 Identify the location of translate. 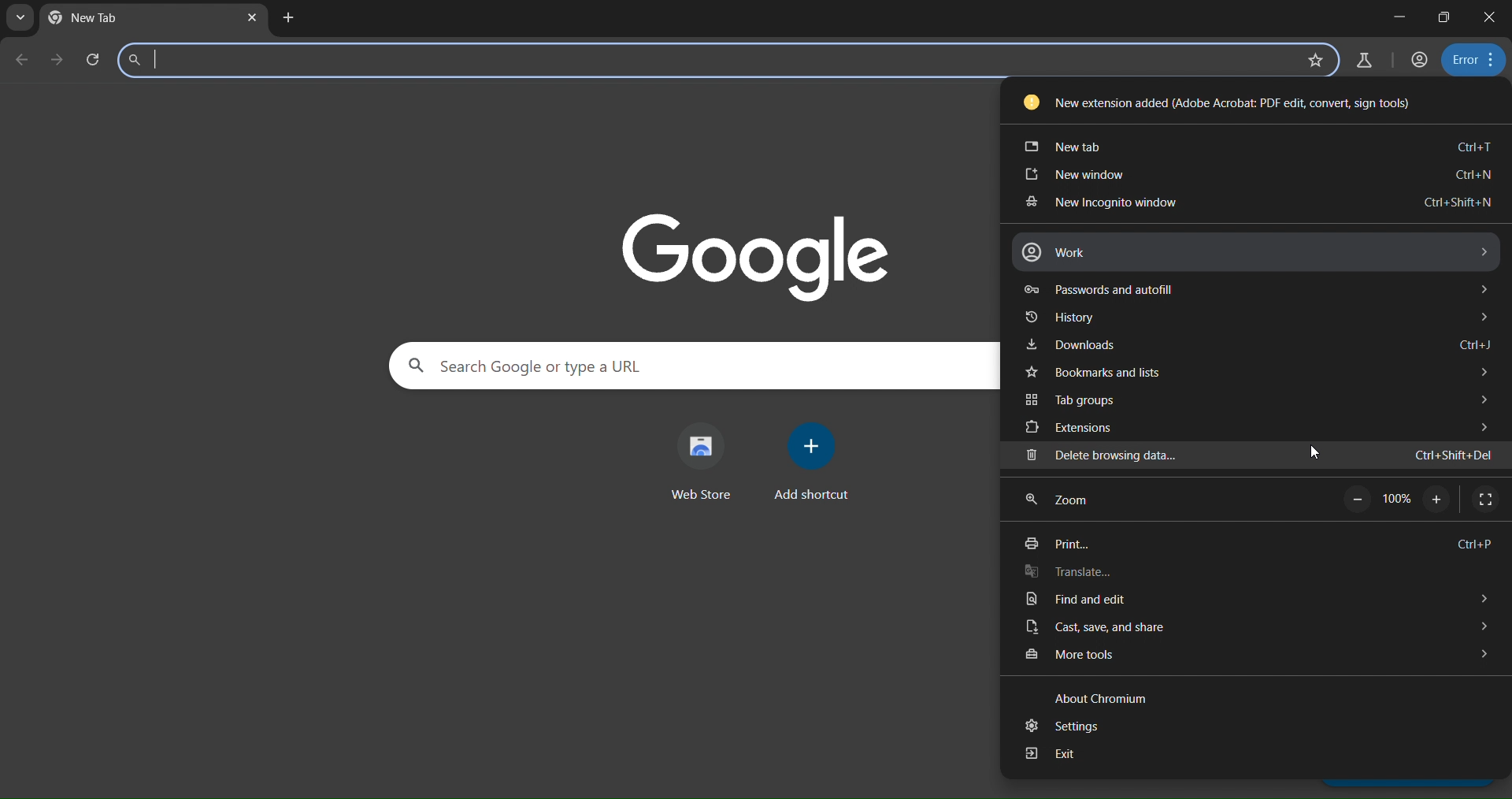
(1256, 569).